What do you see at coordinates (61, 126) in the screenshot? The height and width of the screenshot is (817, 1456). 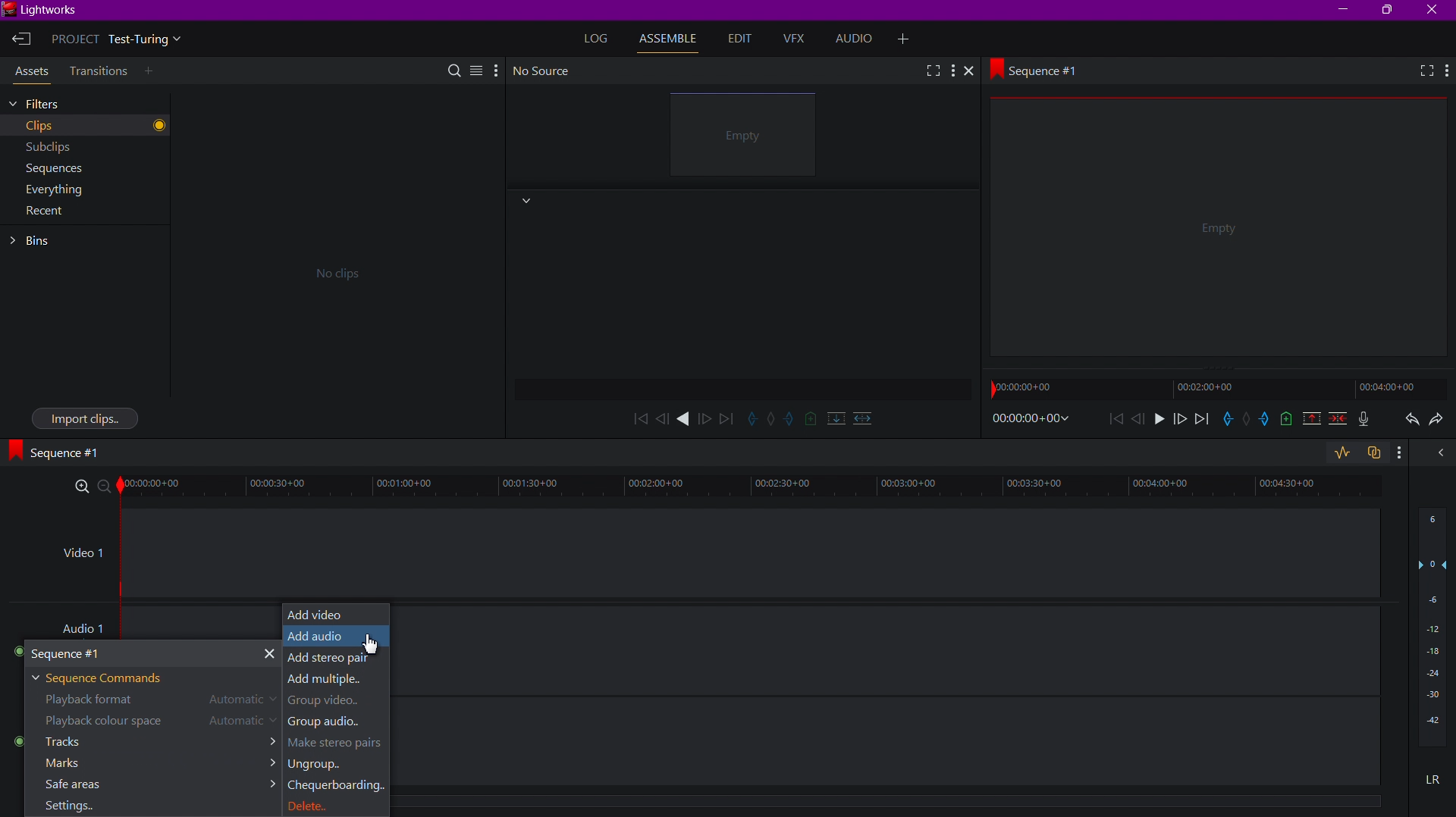 I see `Clips` at bounding box center [61, 126].